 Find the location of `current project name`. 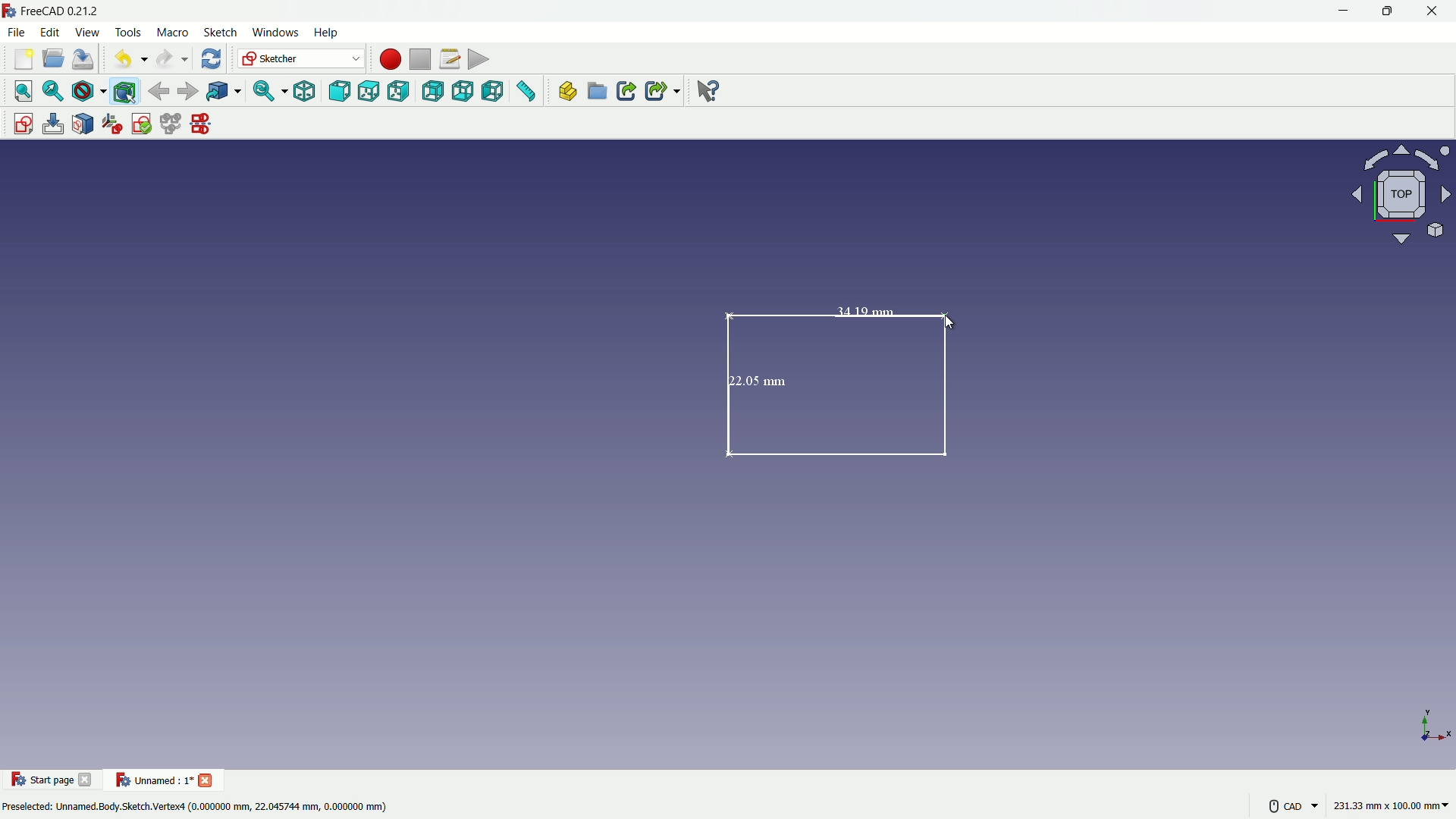

current project name is located at coordinates (152, 780).